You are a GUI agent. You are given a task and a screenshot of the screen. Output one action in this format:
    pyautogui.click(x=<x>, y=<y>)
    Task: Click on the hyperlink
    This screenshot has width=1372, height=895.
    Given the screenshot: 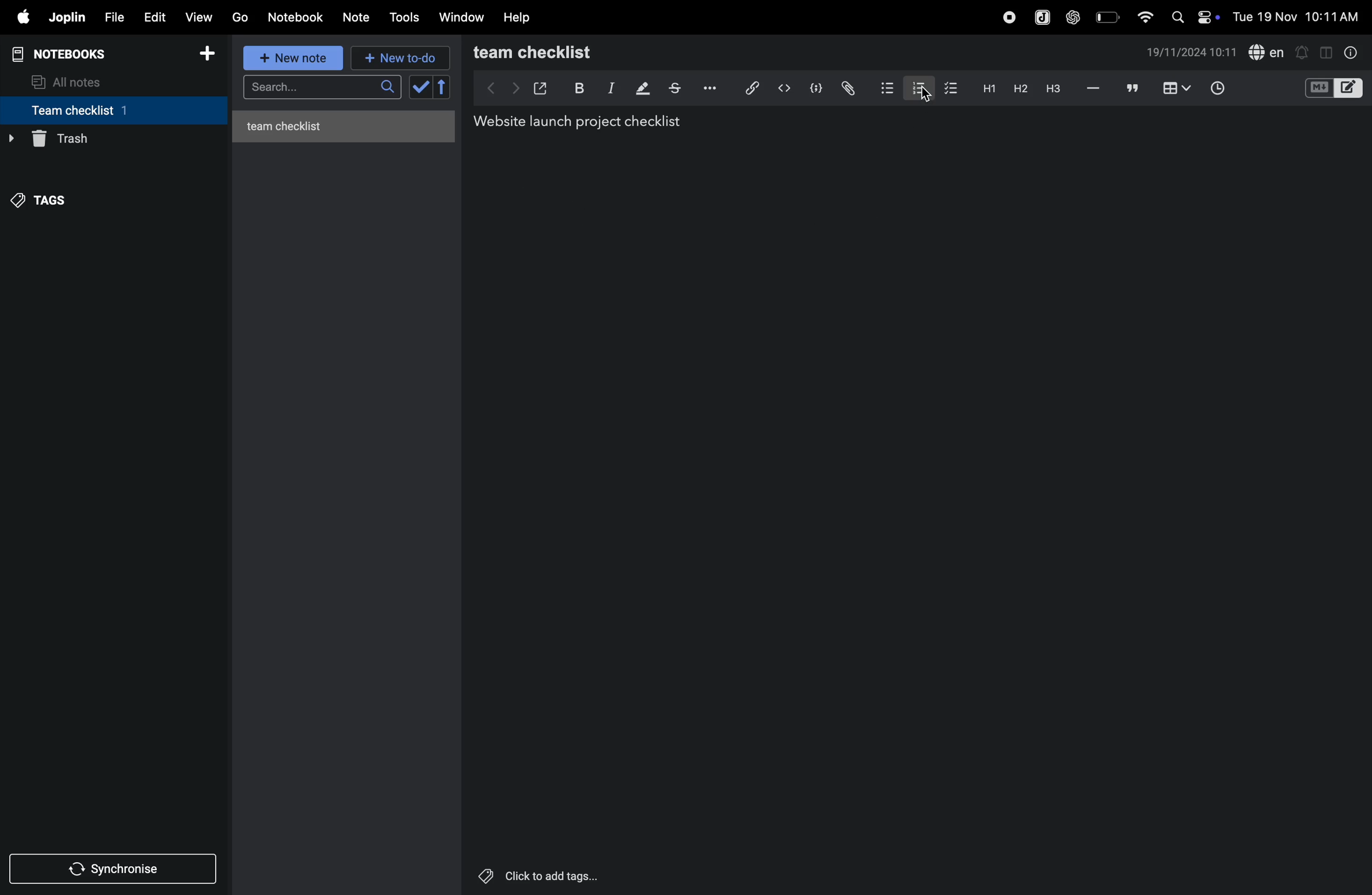 What is the action you would take?
    pyautogui.click(x=747, y=87)
    